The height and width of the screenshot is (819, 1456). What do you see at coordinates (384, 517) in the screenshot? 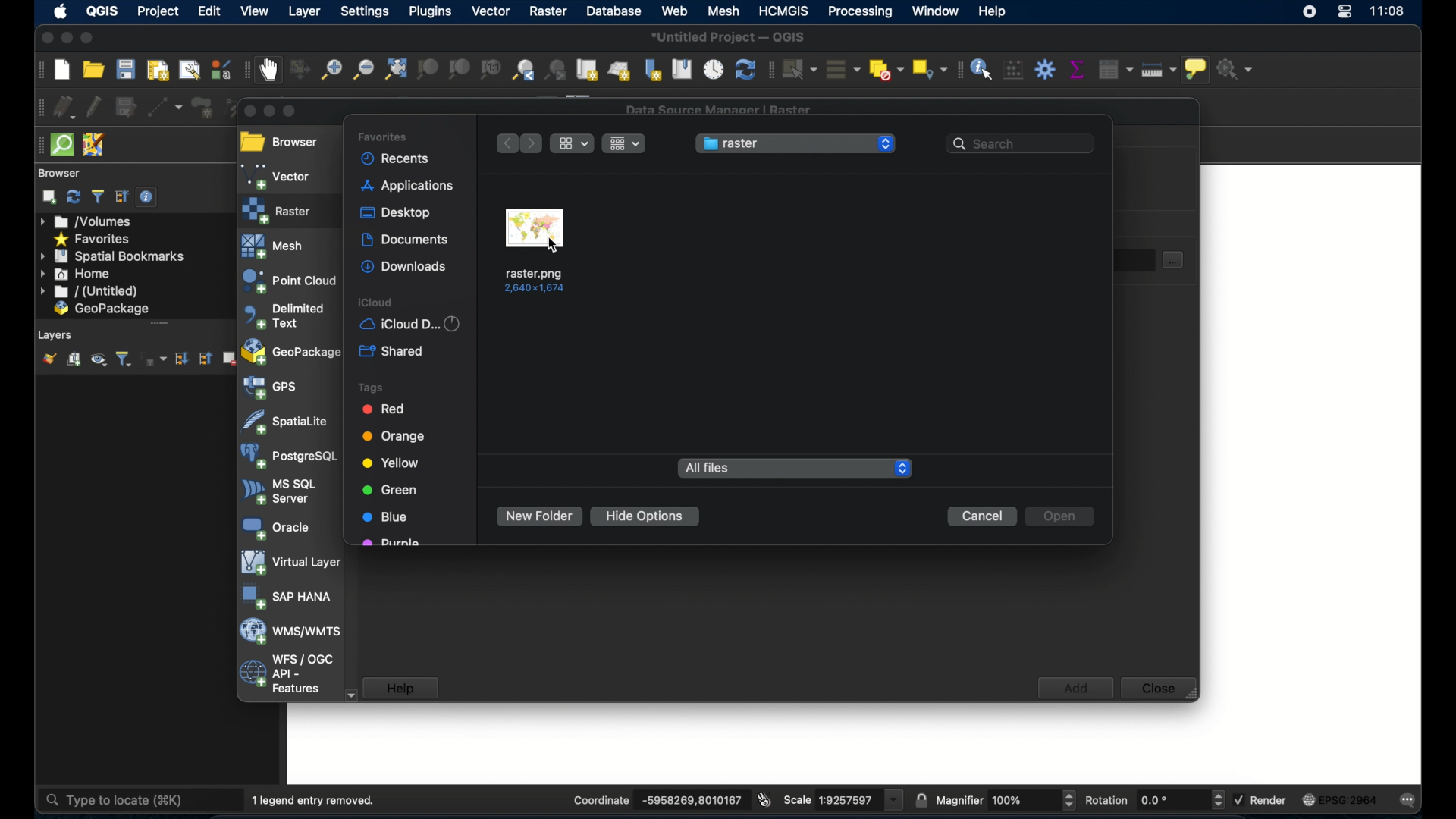
I see `lue` at bounding box center [384, 517].